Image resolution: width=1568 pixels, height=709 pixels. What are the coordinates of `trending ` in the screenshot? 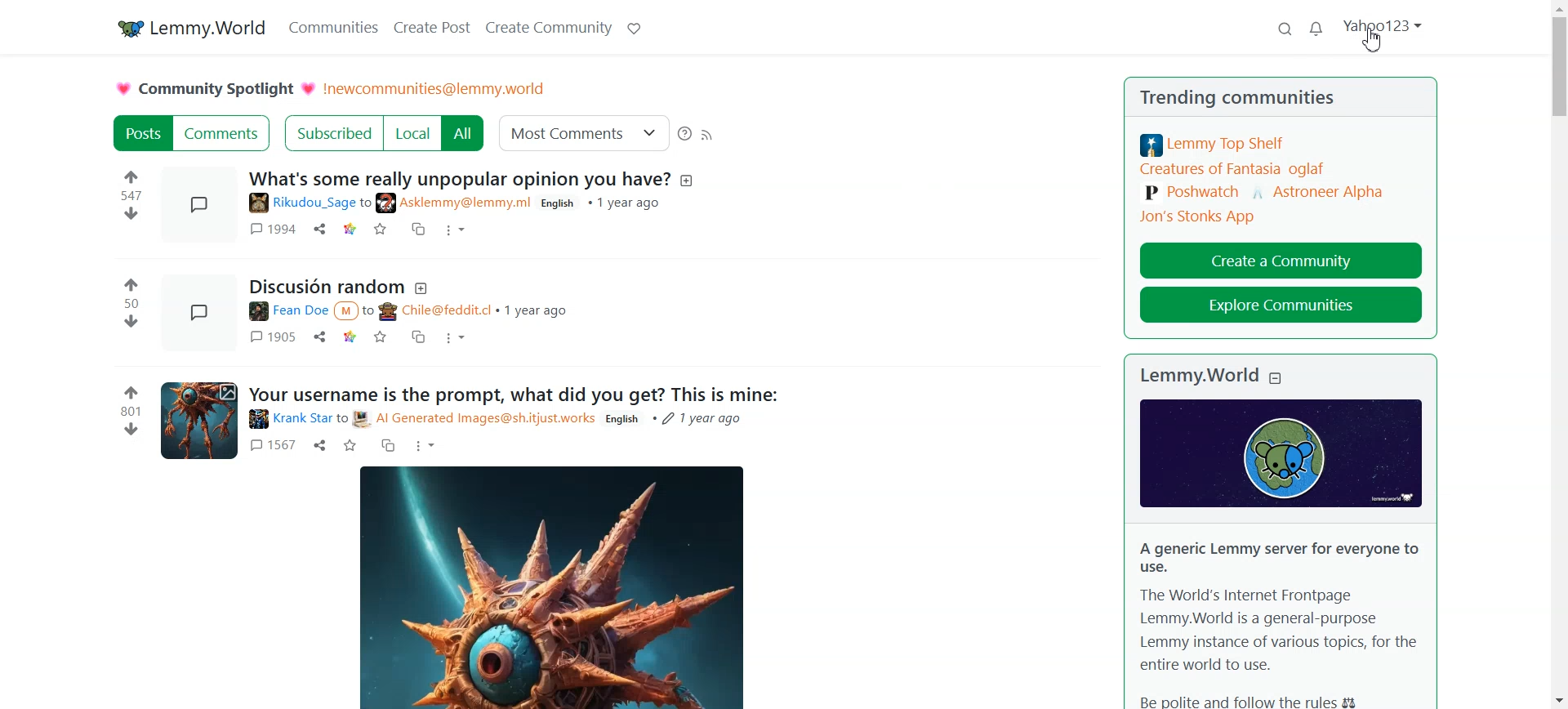 It's located at (1173, 96).